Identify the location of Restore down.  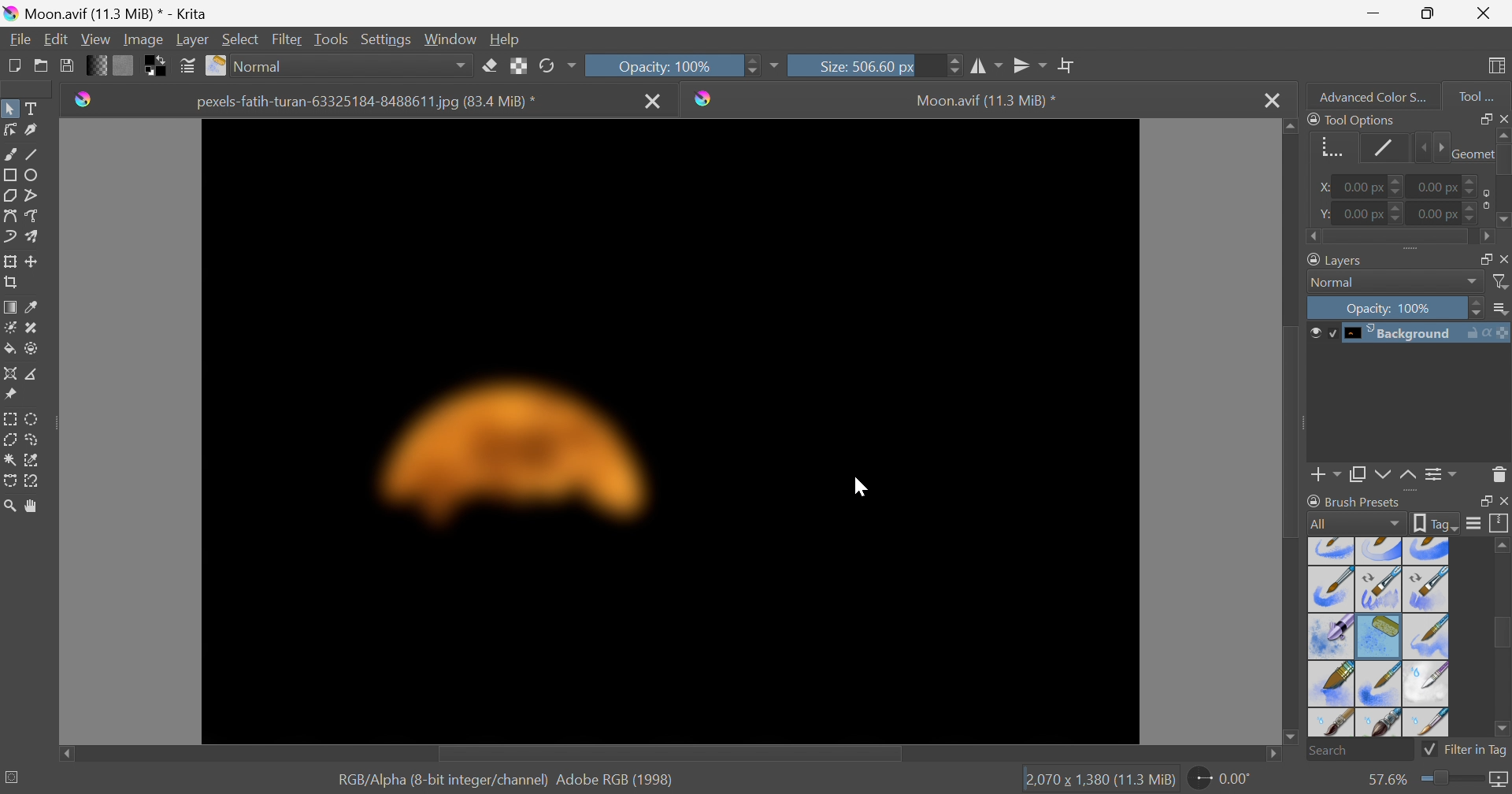
(1480, 500).